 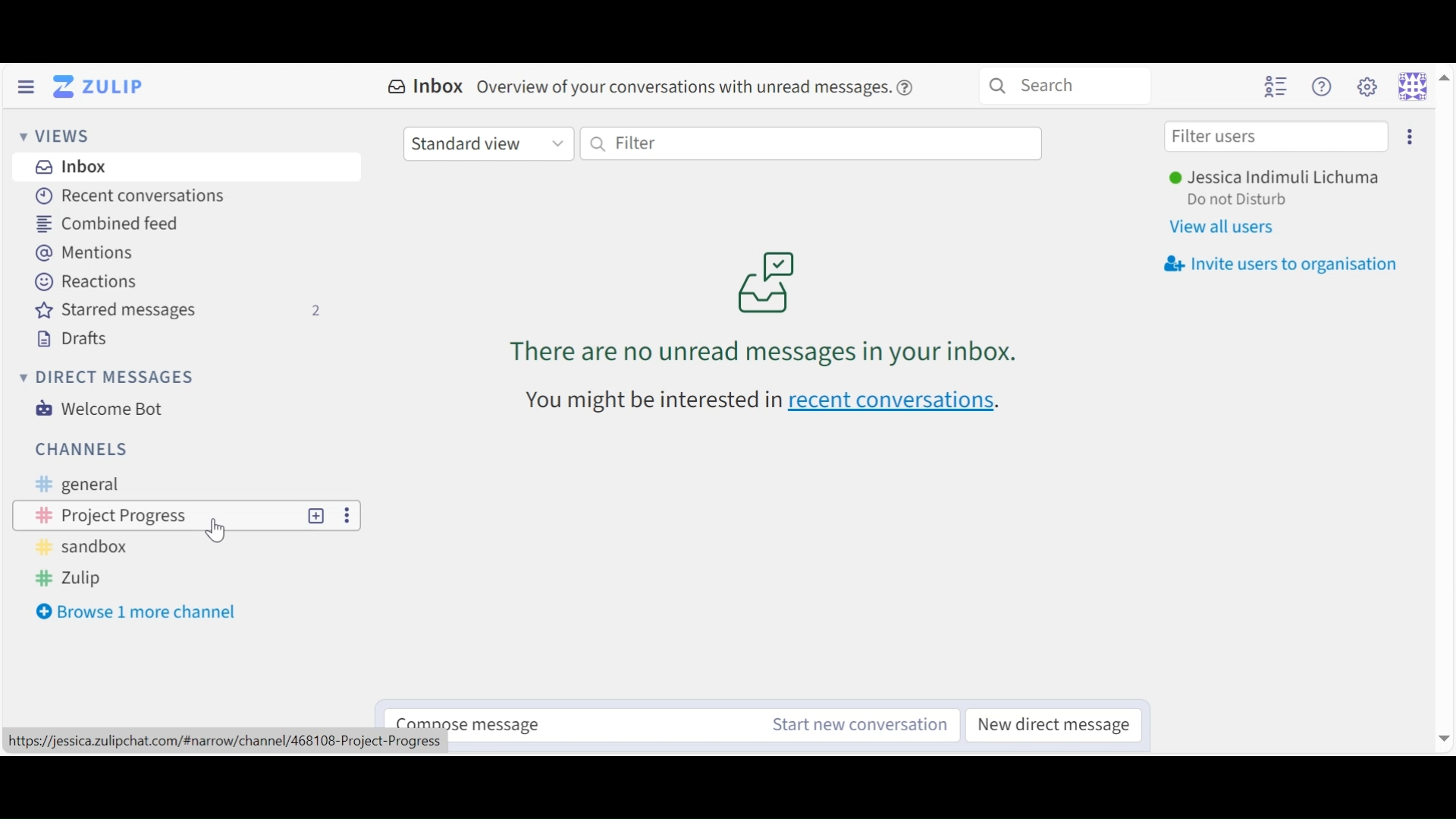 I want to click on new topic, so click(x=319, y=517).